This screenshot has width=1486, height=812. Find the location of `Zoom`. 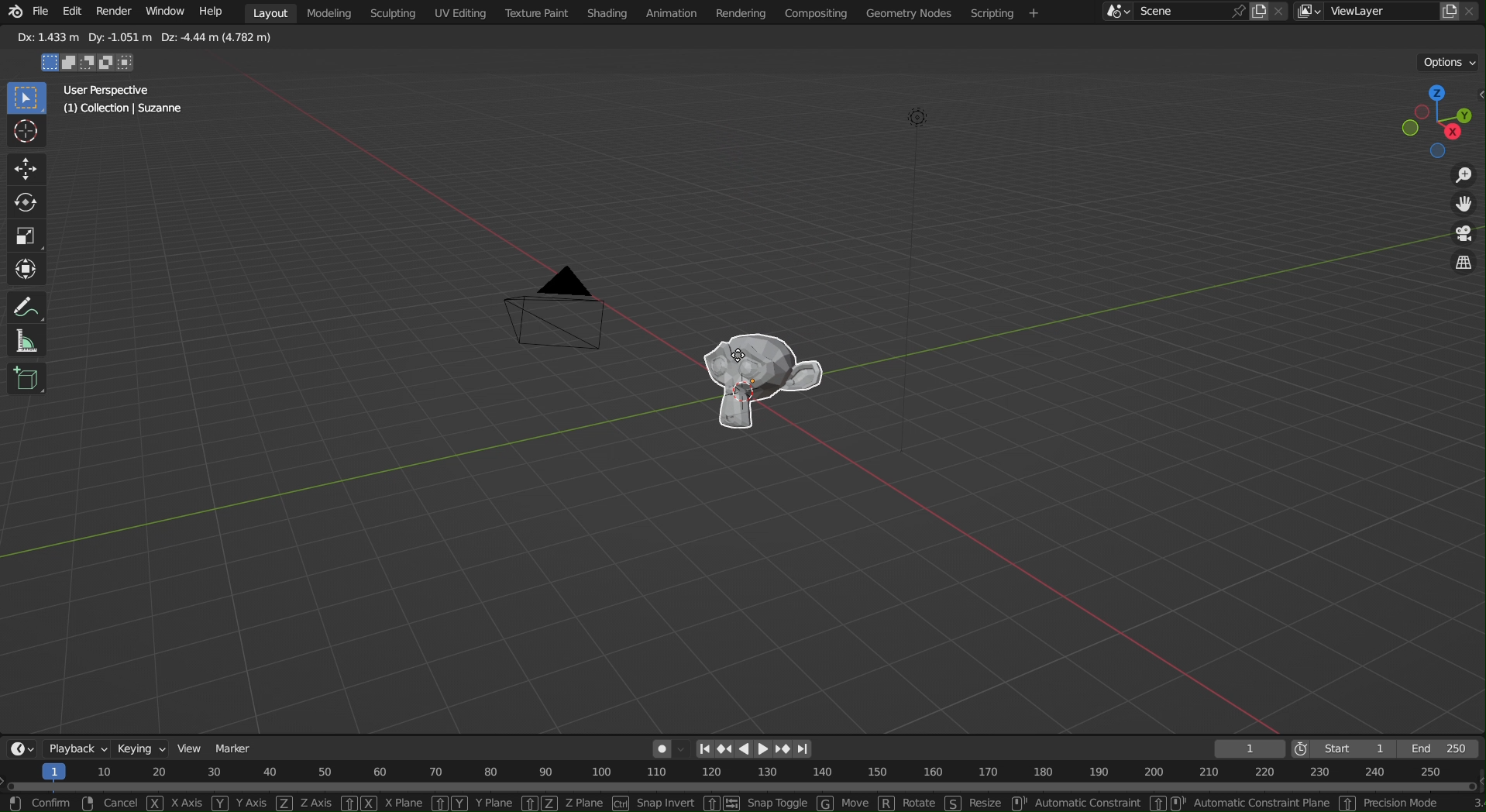

Zoom is located at coordinates (1463, 176).